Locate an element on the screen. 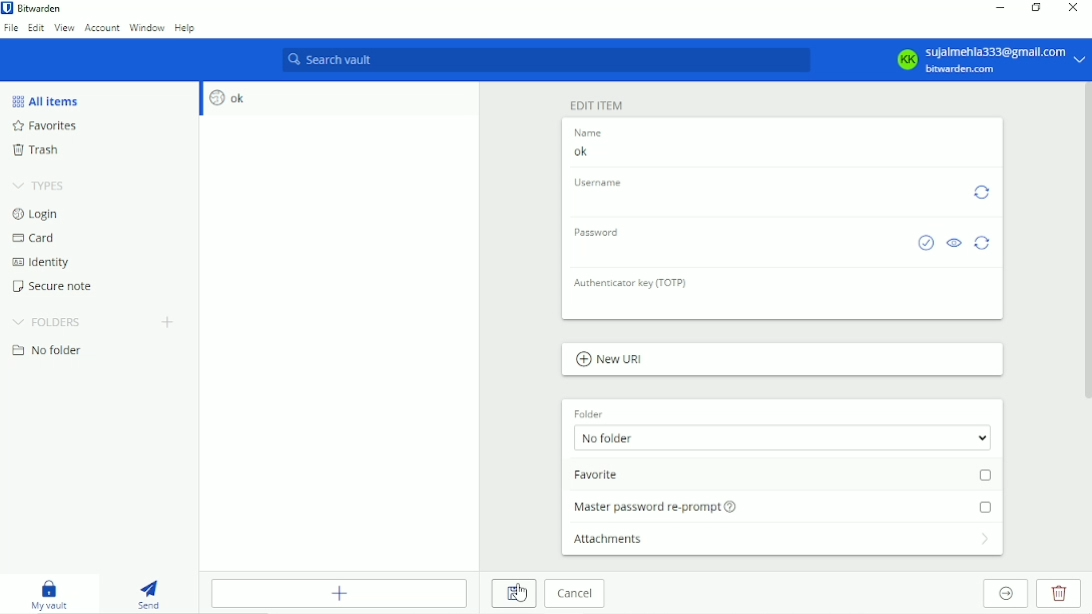 The width and height of the screenshot is (1092, 614). No folder is located at coordinates (49, 351).